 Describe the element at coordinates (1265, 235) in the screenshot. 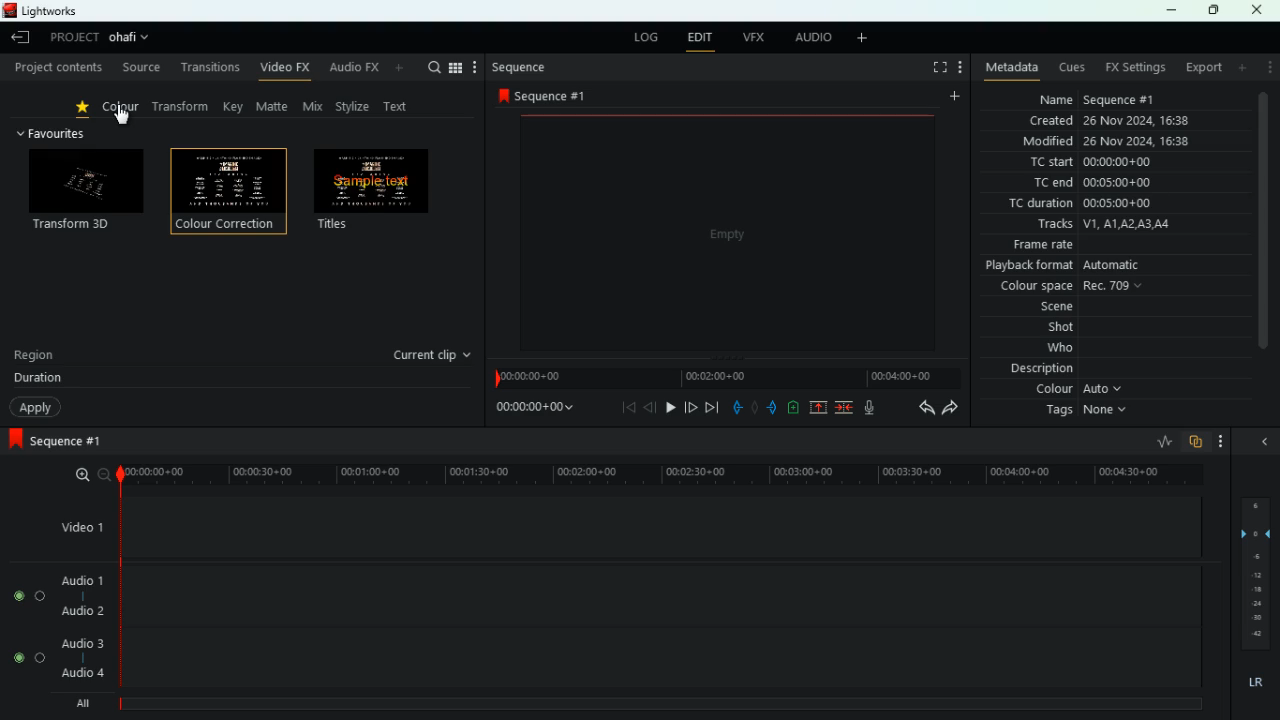

I see `scroll bar` at that location.